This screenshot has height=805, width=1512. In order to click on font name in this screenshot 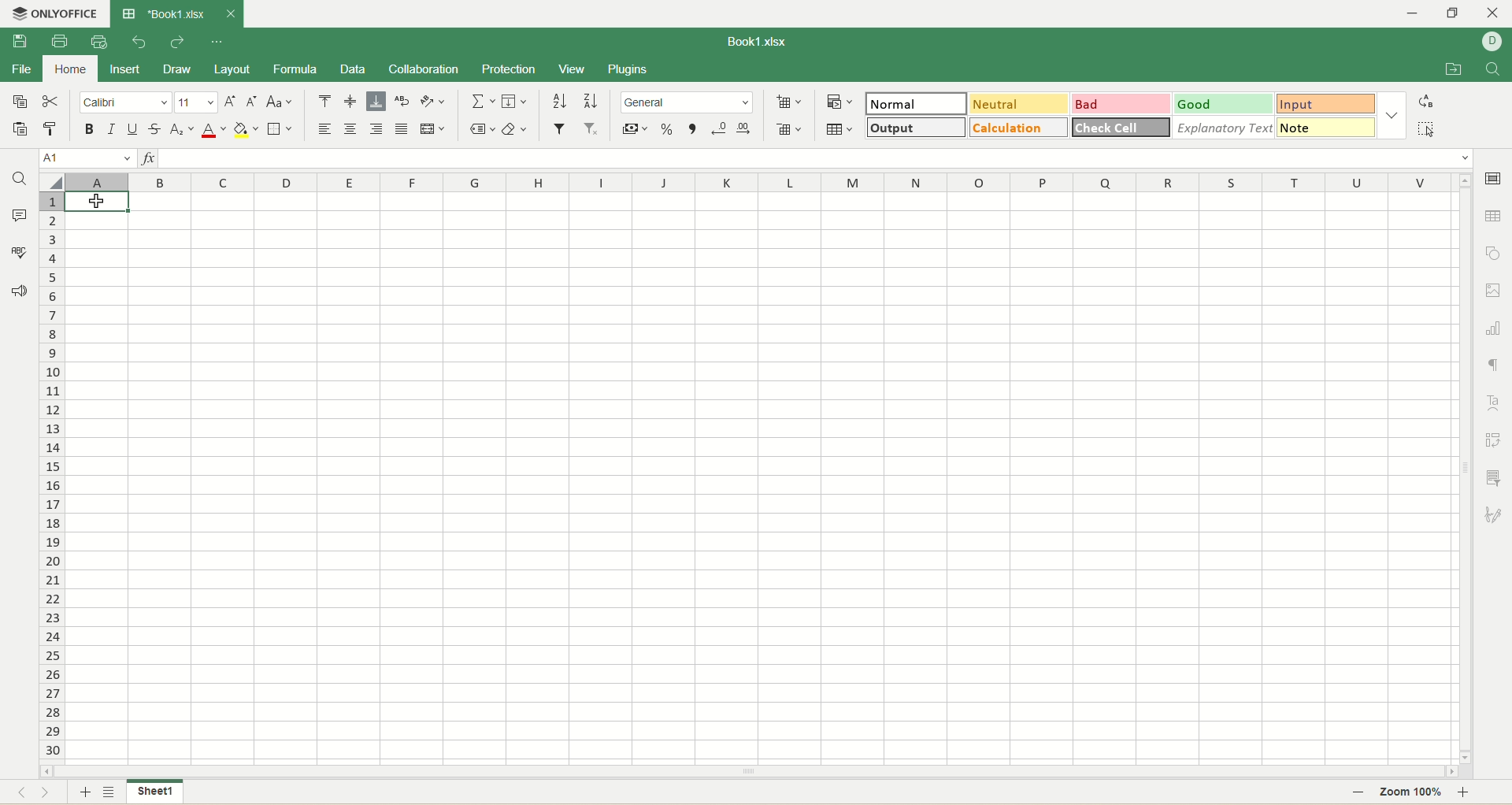, I will do `click(124, 102)`.